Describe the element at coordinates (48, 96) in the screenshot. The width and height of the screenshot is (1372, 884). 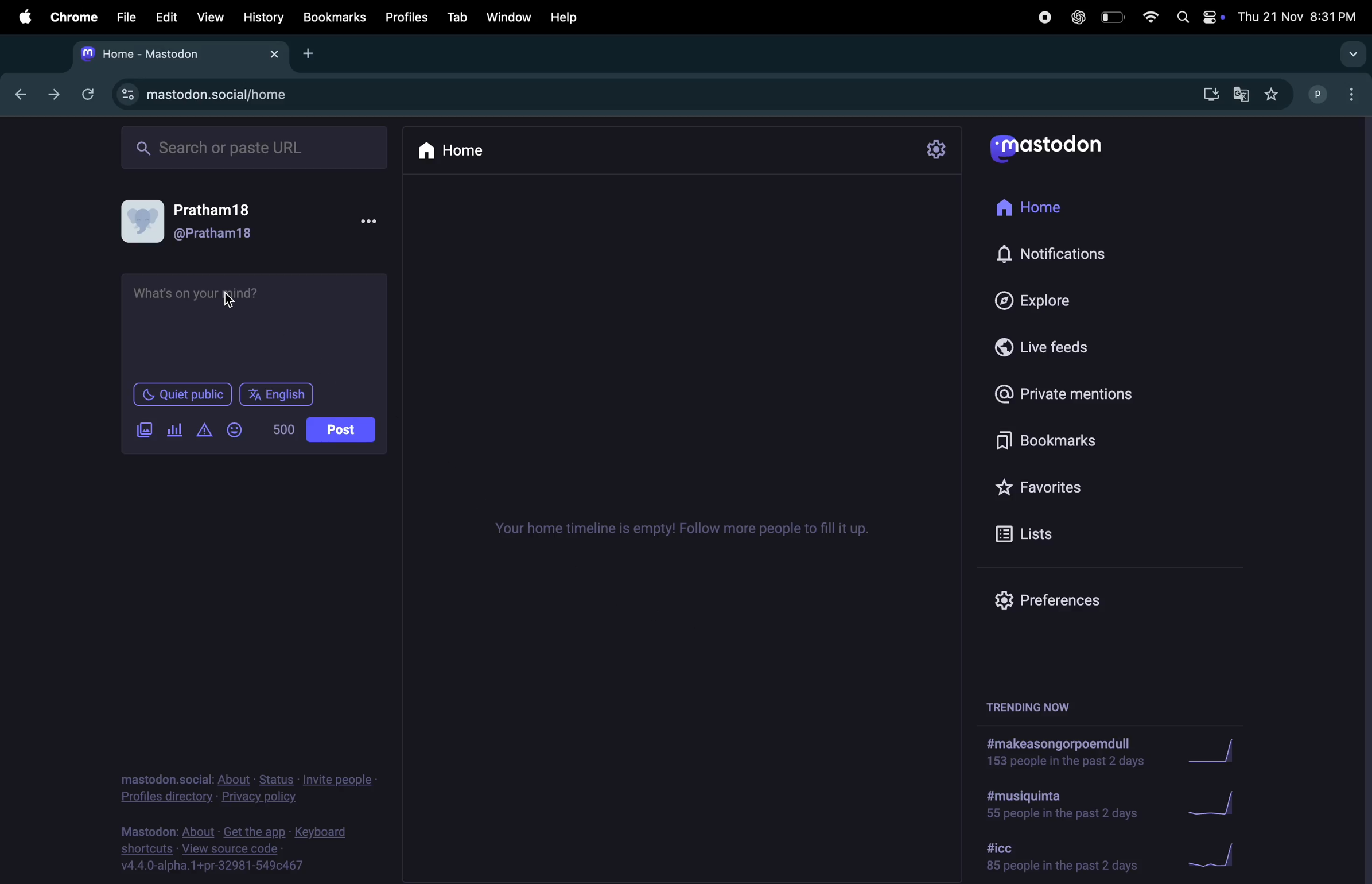
I see `forward` at that location.